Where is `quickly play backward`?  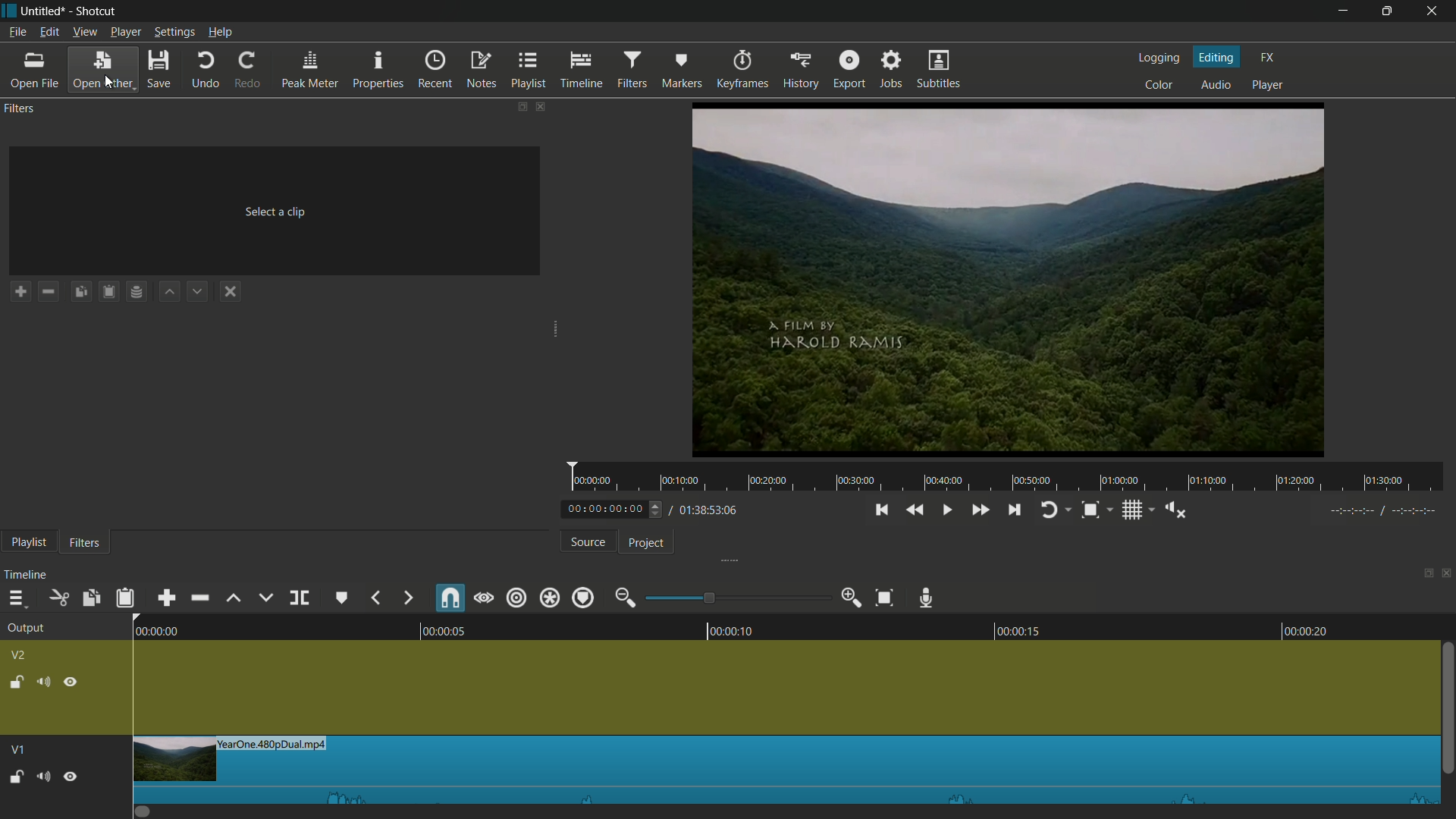 quickly play backward is located at coordinates (915, 510).